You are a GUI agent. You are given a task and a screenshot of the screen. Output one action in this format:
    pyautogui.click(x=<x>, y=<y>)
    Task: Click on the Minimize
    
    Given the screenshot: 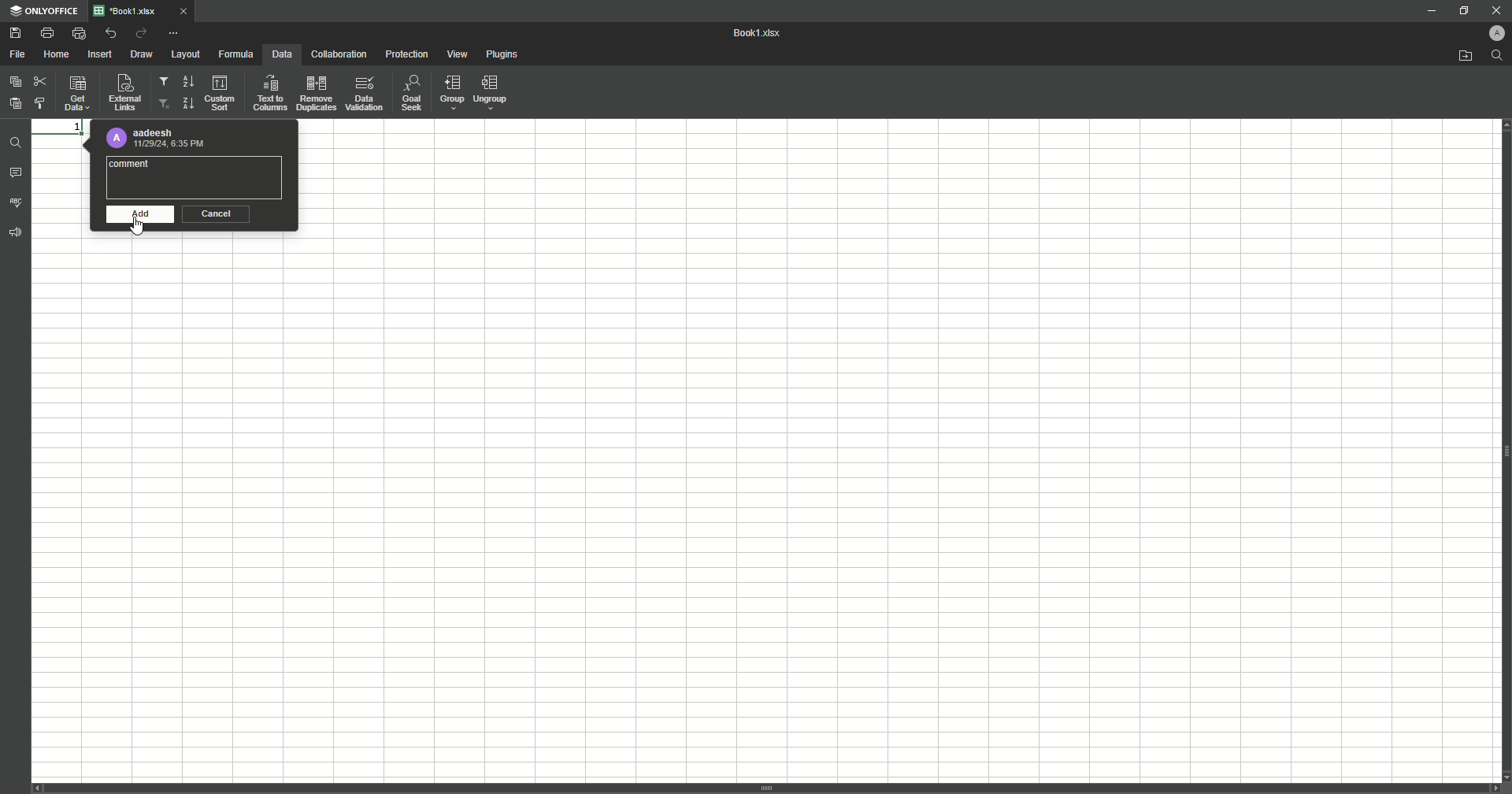 What is the action you would take?
    pyautogui.click(x=1424, y=12)
    